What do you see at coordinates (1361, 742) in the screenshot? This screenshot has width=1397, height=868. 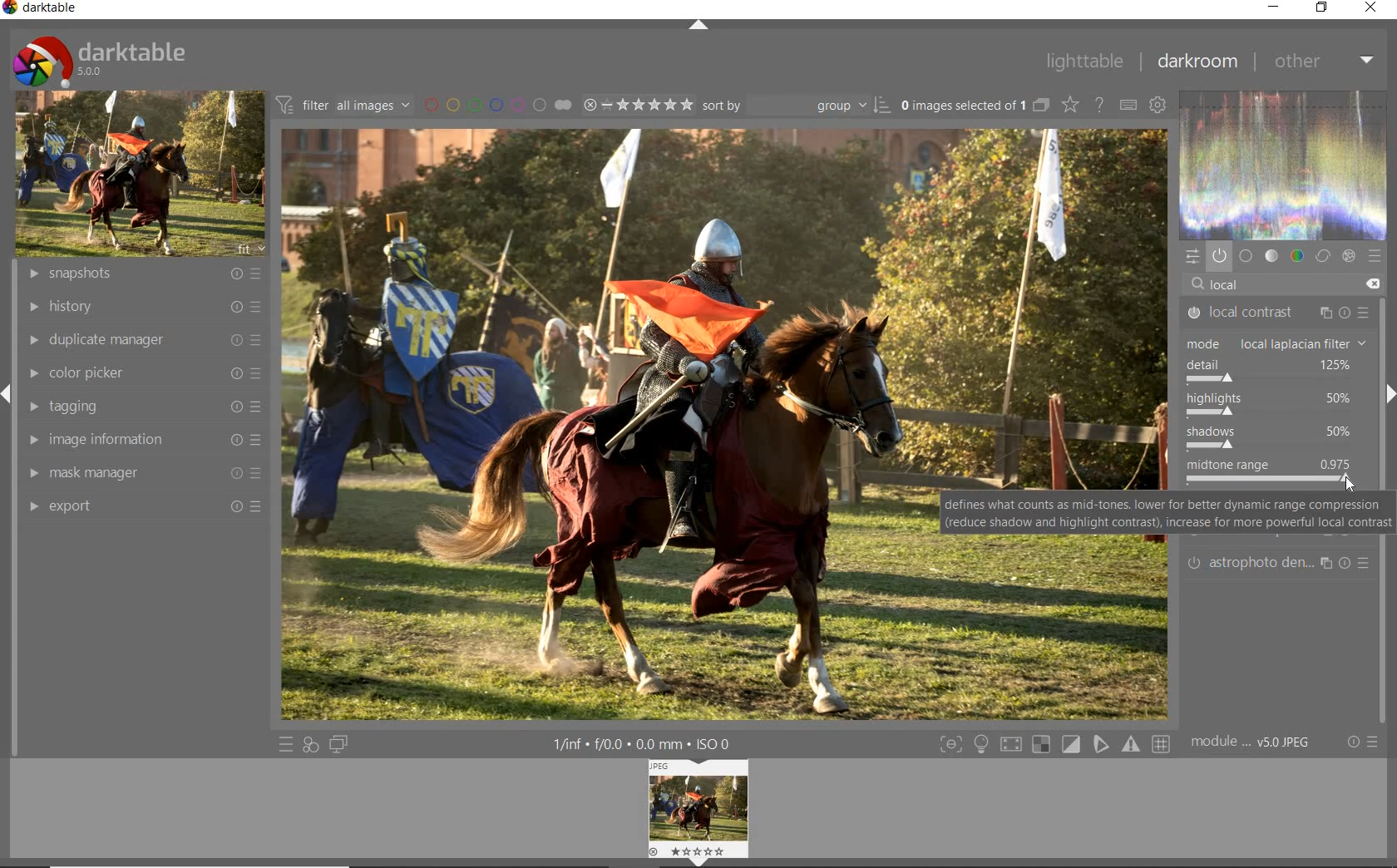 I see `reset or presets & preferences` at bounding box center [1361, 742].